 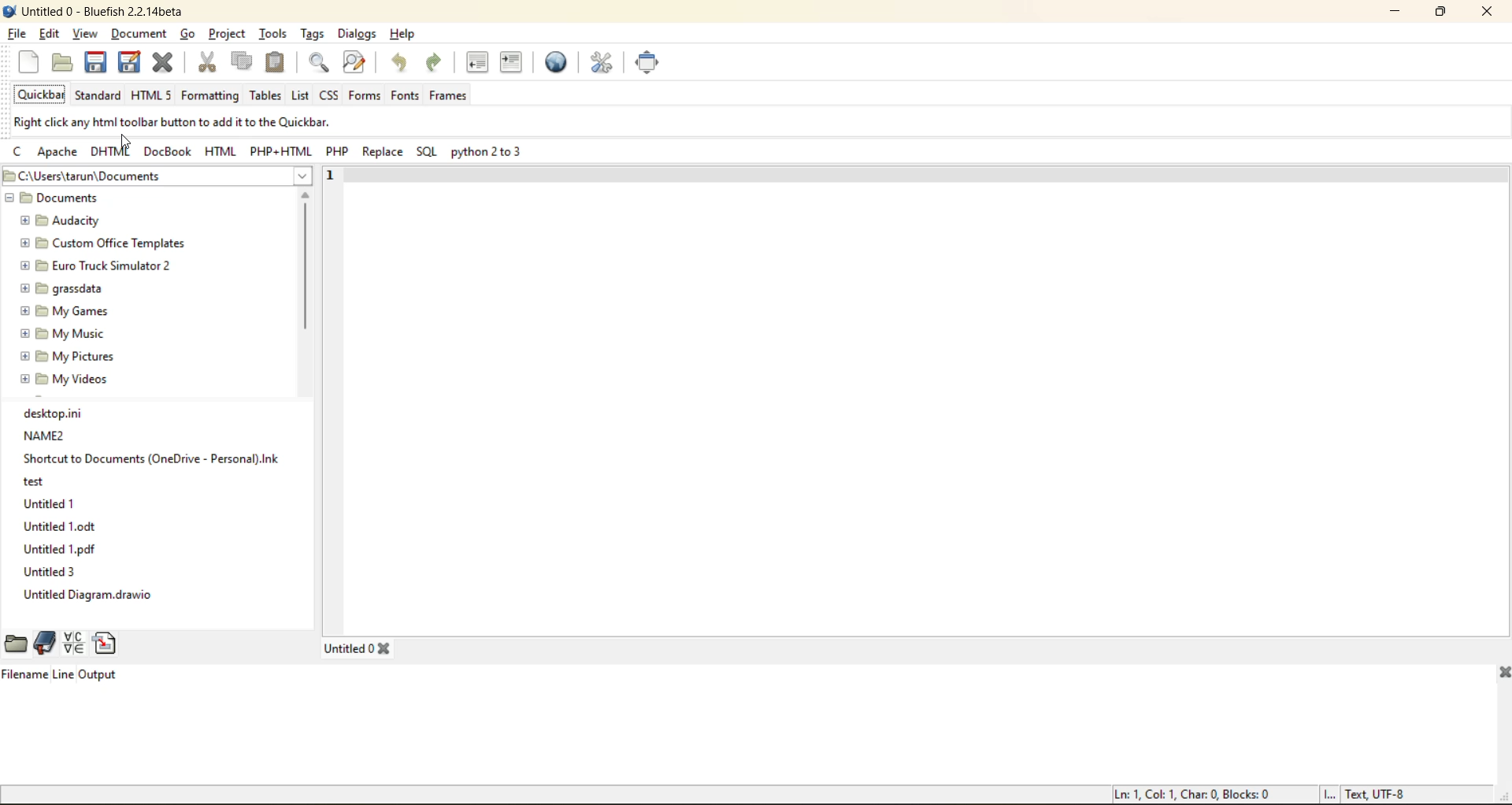 I want to click on html, so click(x=221, y=151).